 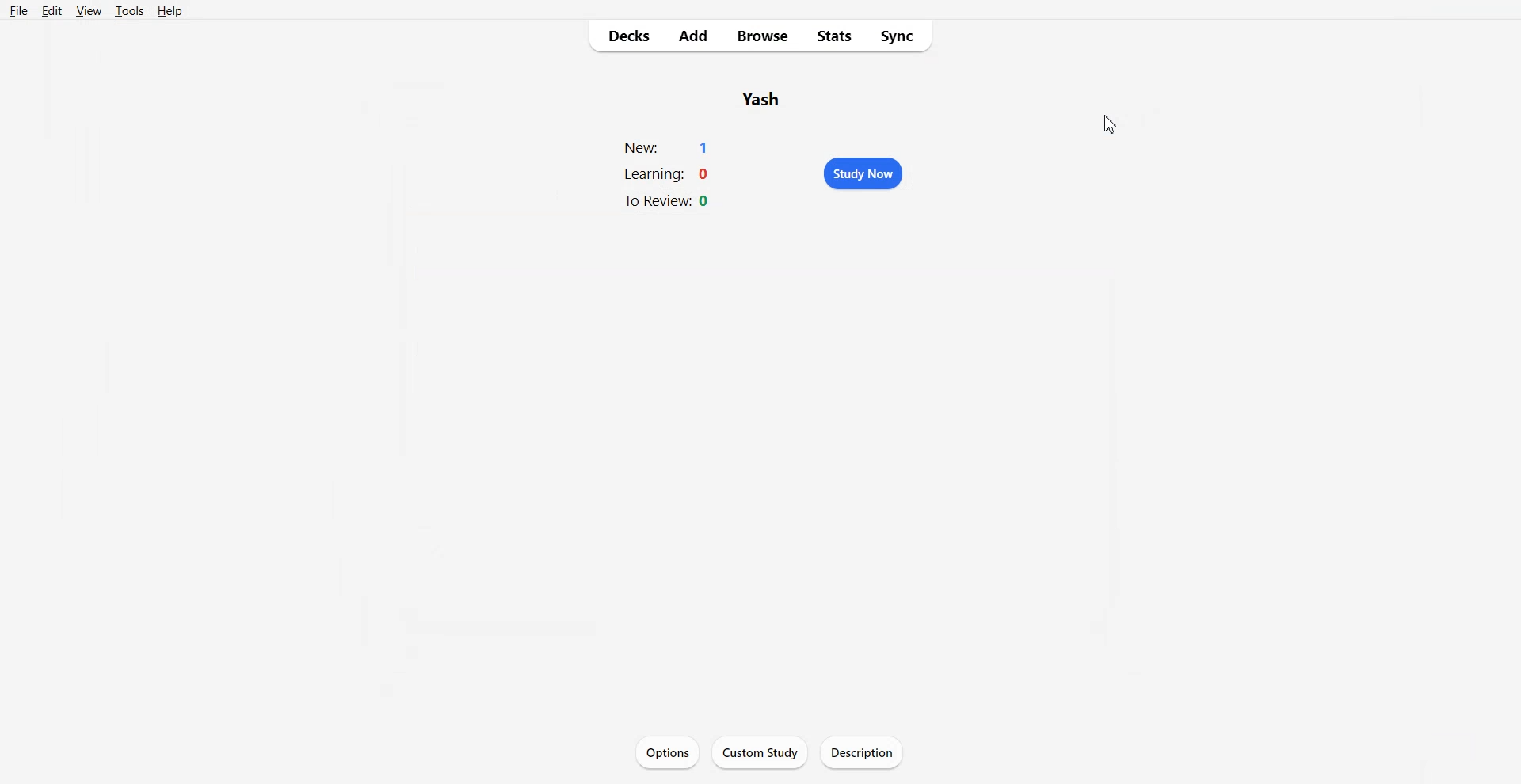 What do you see at coordinates (629, 37) in the screenshot?
I see `Decks` at bounding box center [629, 37].